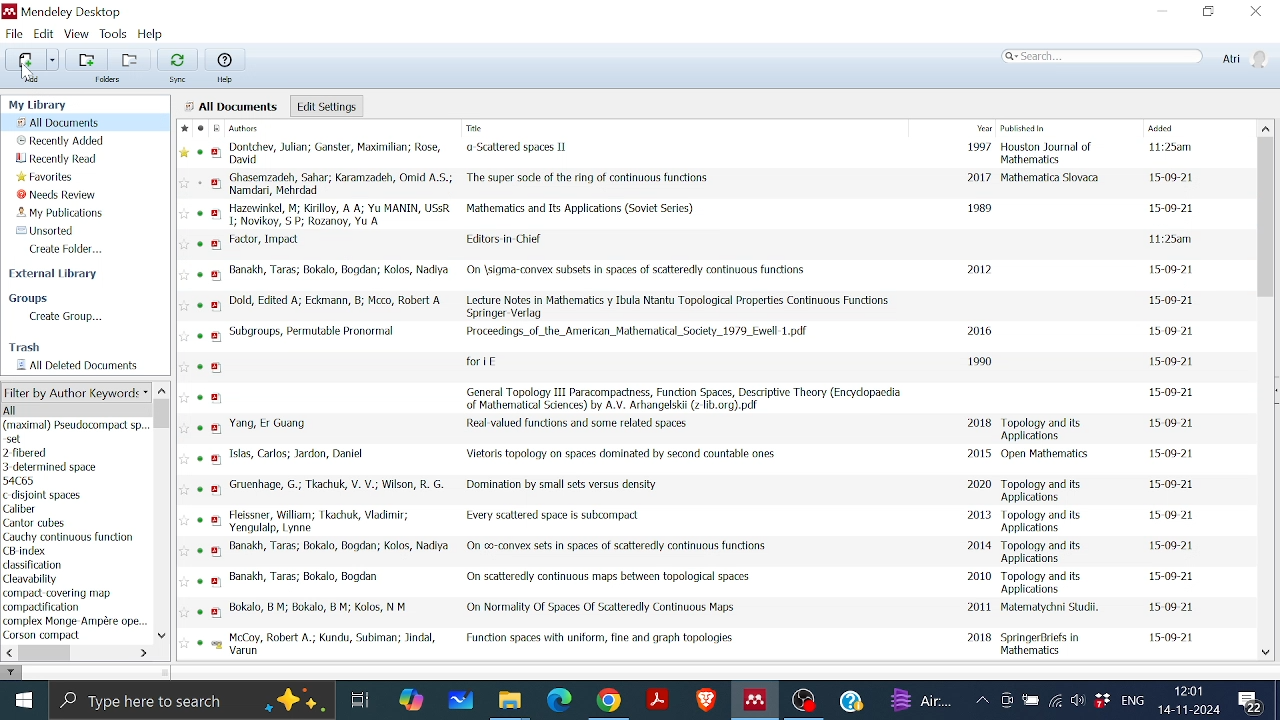  I want to click on daet, so click(1171, 607).